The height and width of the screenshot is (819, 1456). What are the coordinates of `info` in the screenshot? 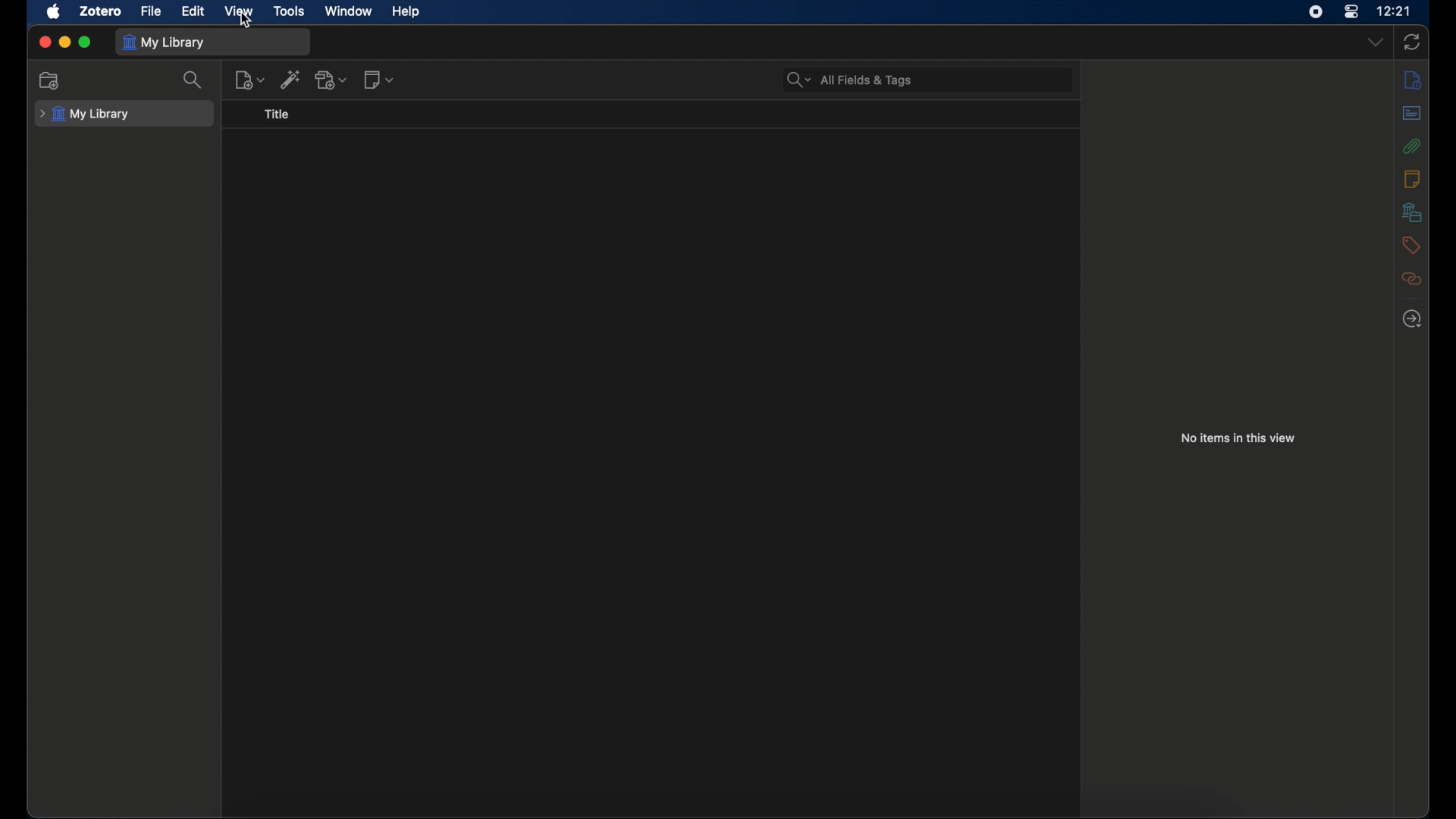 It's located at (1412, 79).